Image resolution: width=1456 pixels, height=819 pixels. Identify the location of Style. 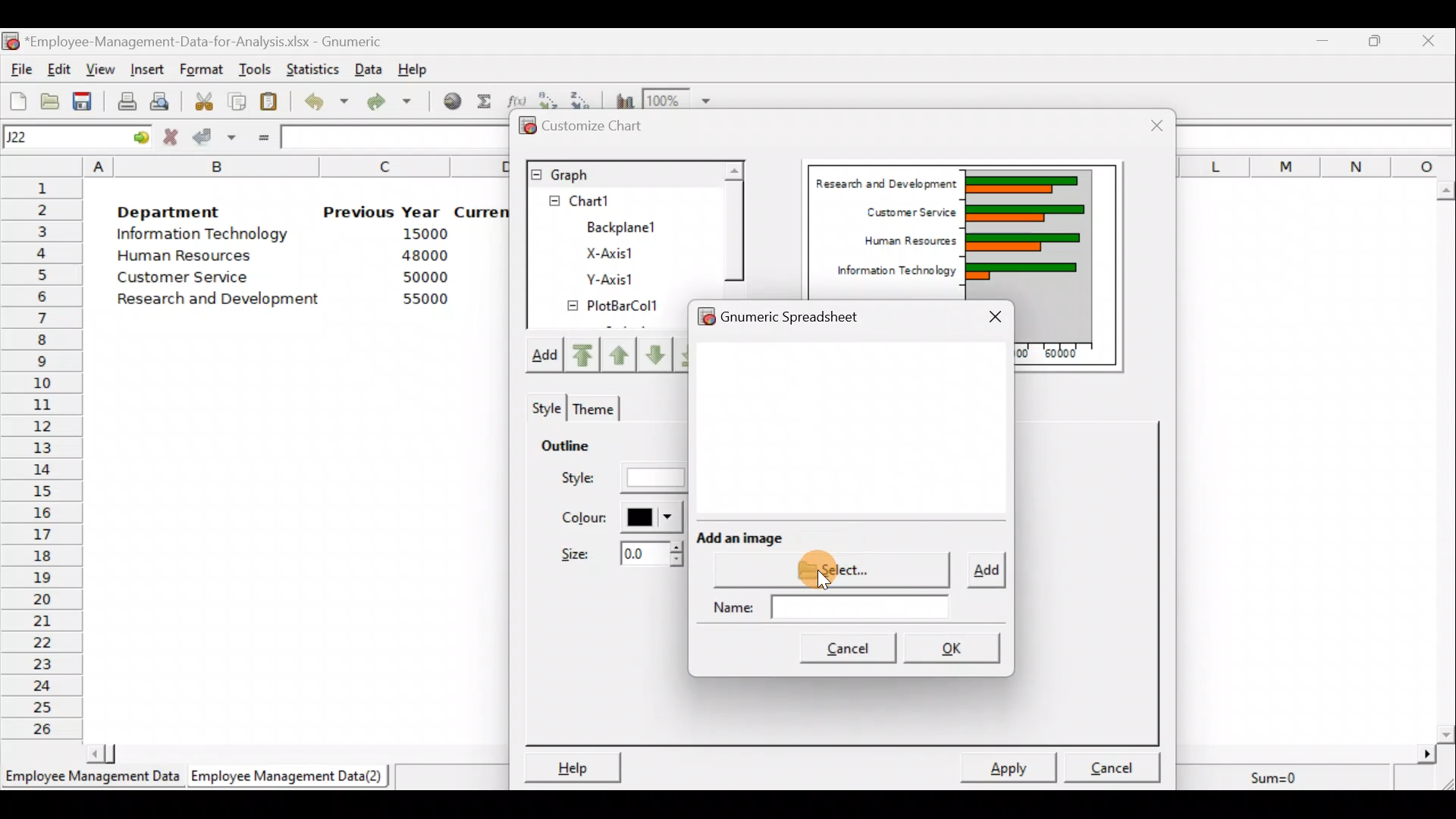
(619, 479).